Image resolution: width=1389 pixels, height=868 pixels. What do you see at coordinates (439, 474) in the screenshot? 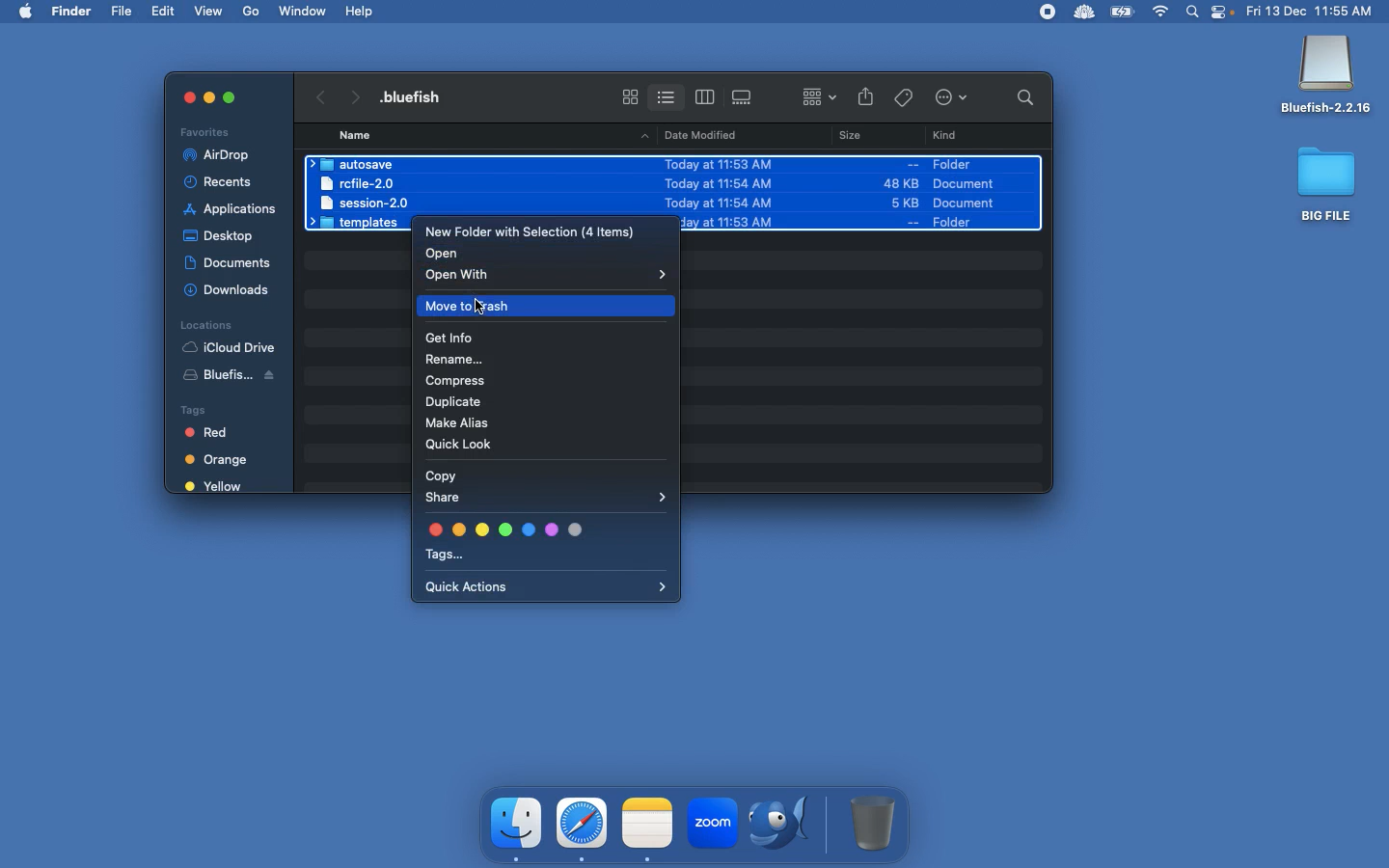
I see `Copy` at bounding box center [439, 474].